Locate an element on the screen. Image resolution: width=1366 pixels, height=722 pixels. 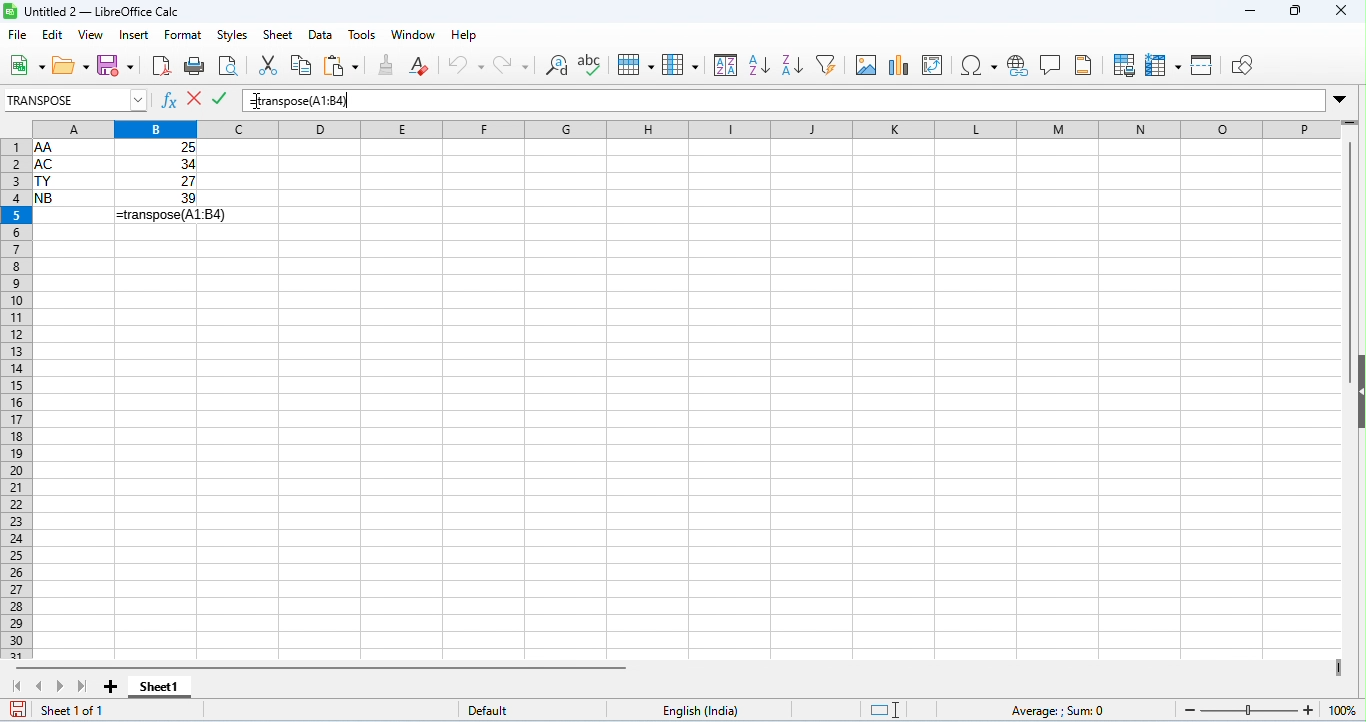
view is located at coordinates (90, 36).